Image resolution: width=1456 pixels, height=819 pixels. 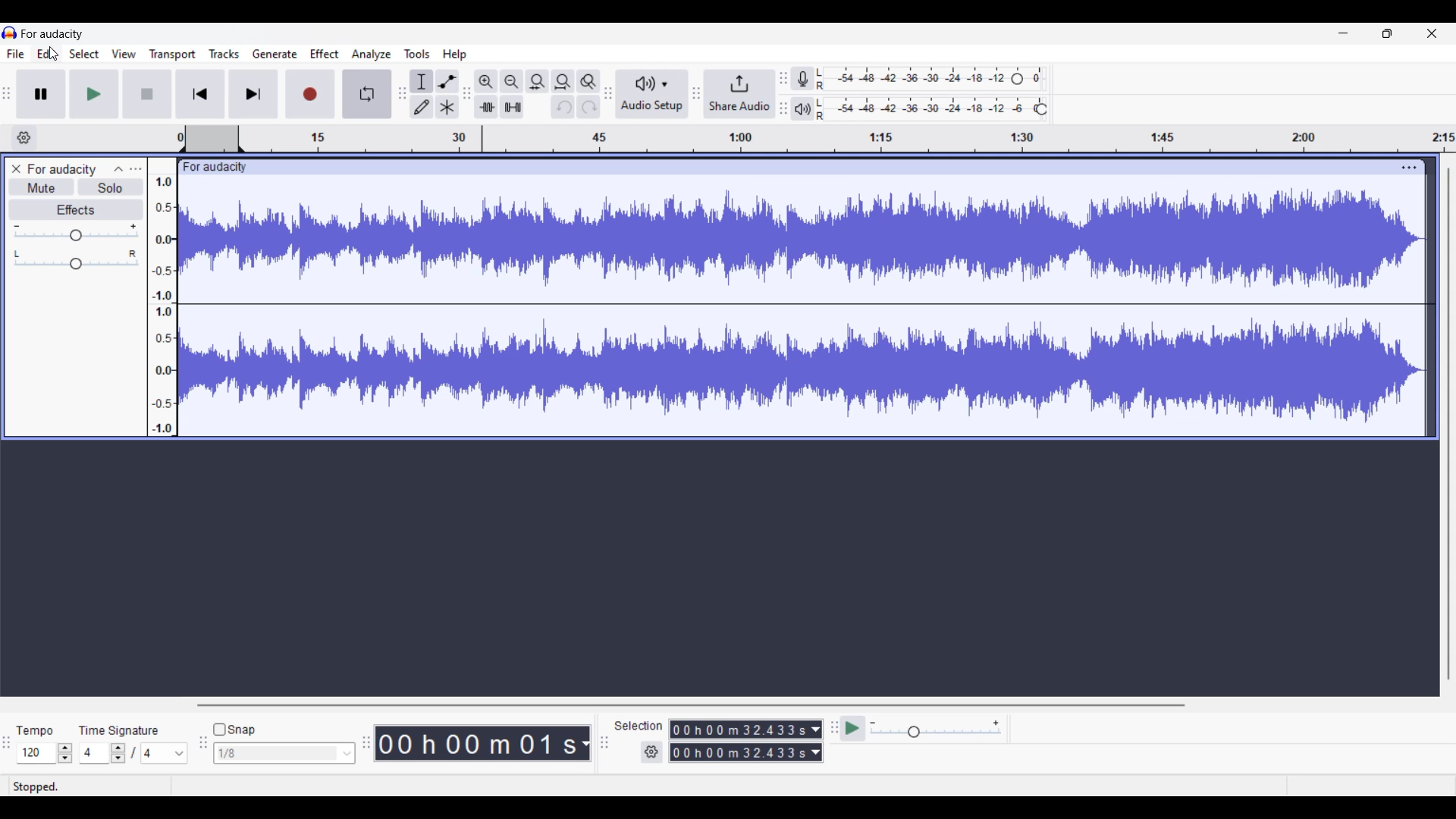 I want to click on Software logo, so click(x=10, y=33).